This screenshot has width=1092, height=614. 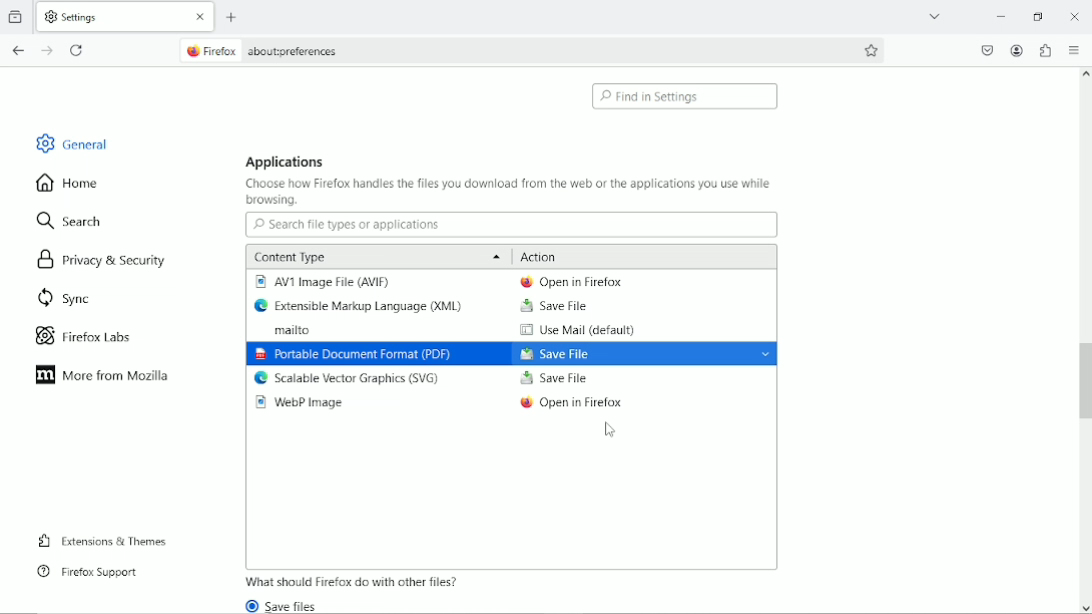 What do you see at coordinates (1003, 17) in the screenshot?
I see `Minimize` at bounding box center [1003, 17].